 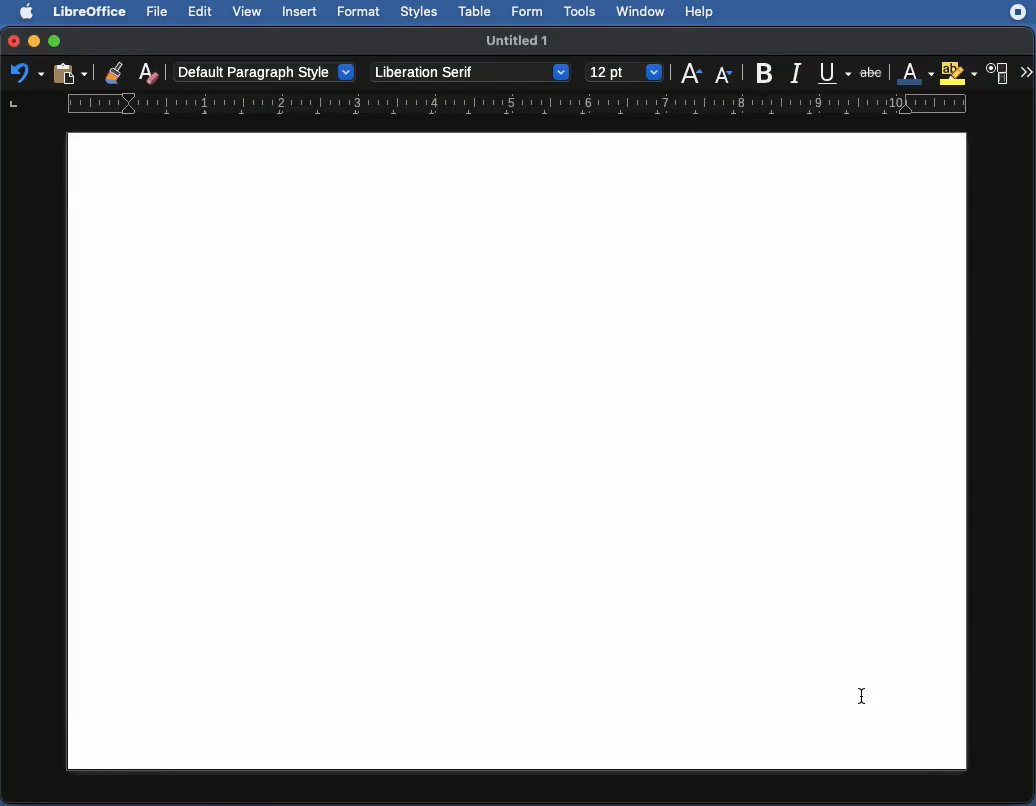 What do you see at coordinates (91, 12) in the screenshot?
I see `LibreOffice` at bounding box center [91, 12].